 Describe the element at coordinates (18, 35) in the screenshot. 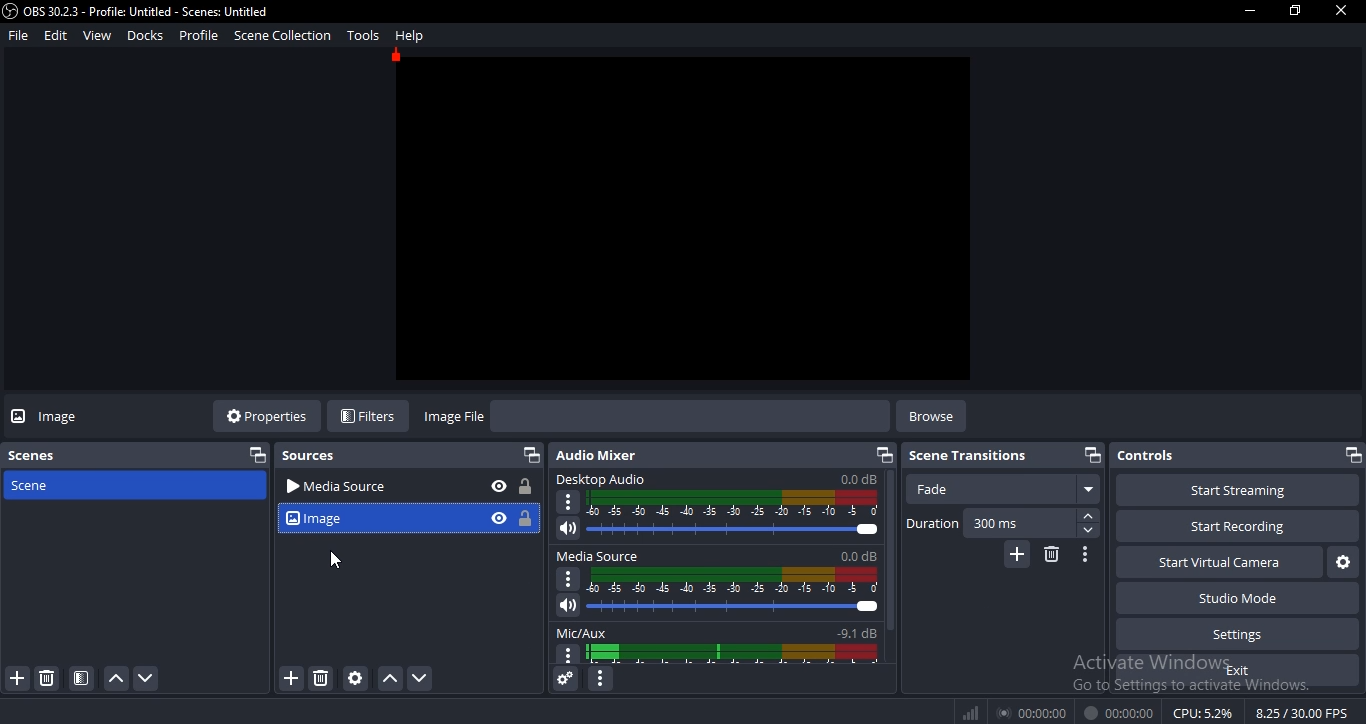

I see `file` at that location.